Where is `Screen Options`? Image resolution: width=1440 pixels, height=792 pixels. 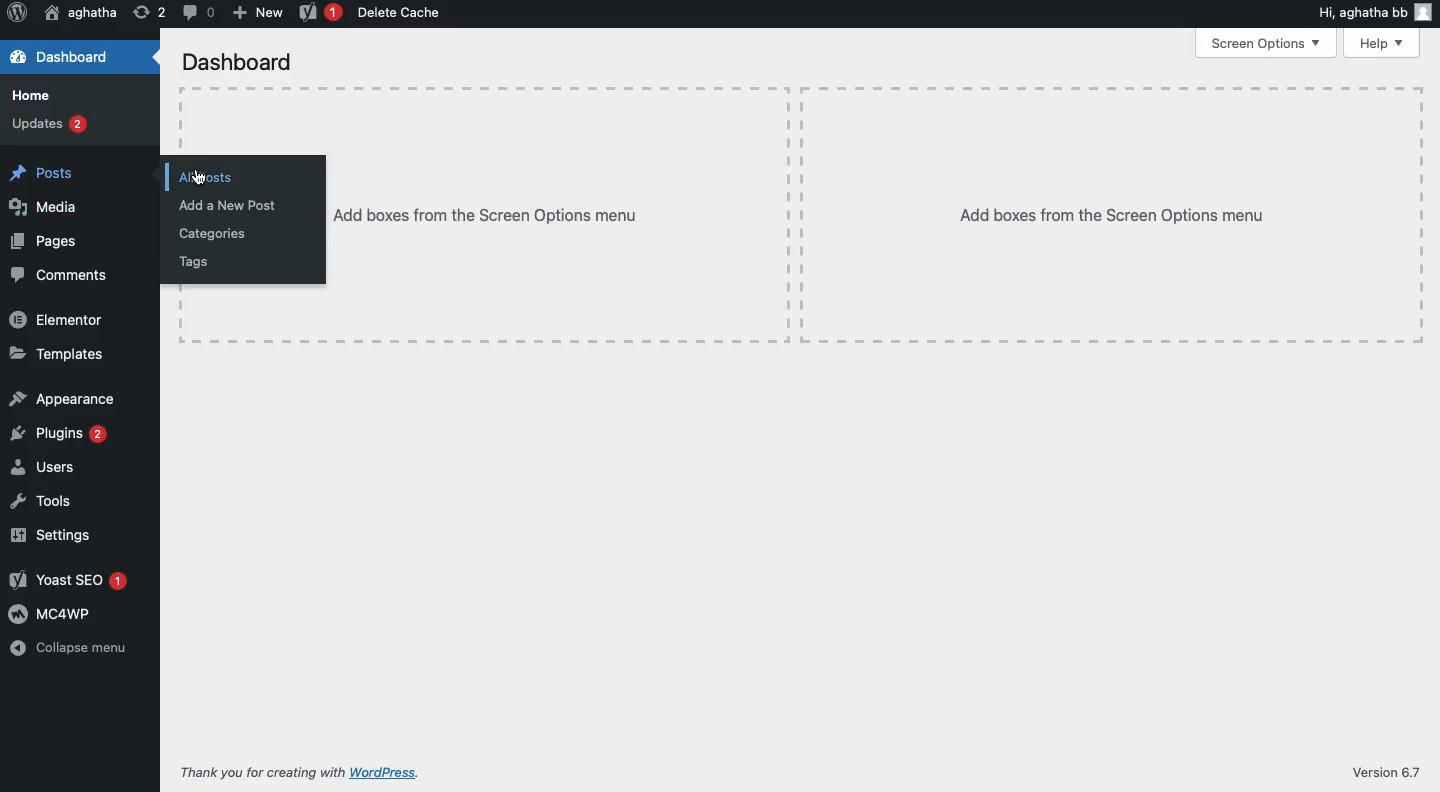
Screen Options is located at coordinates (1265, 44).